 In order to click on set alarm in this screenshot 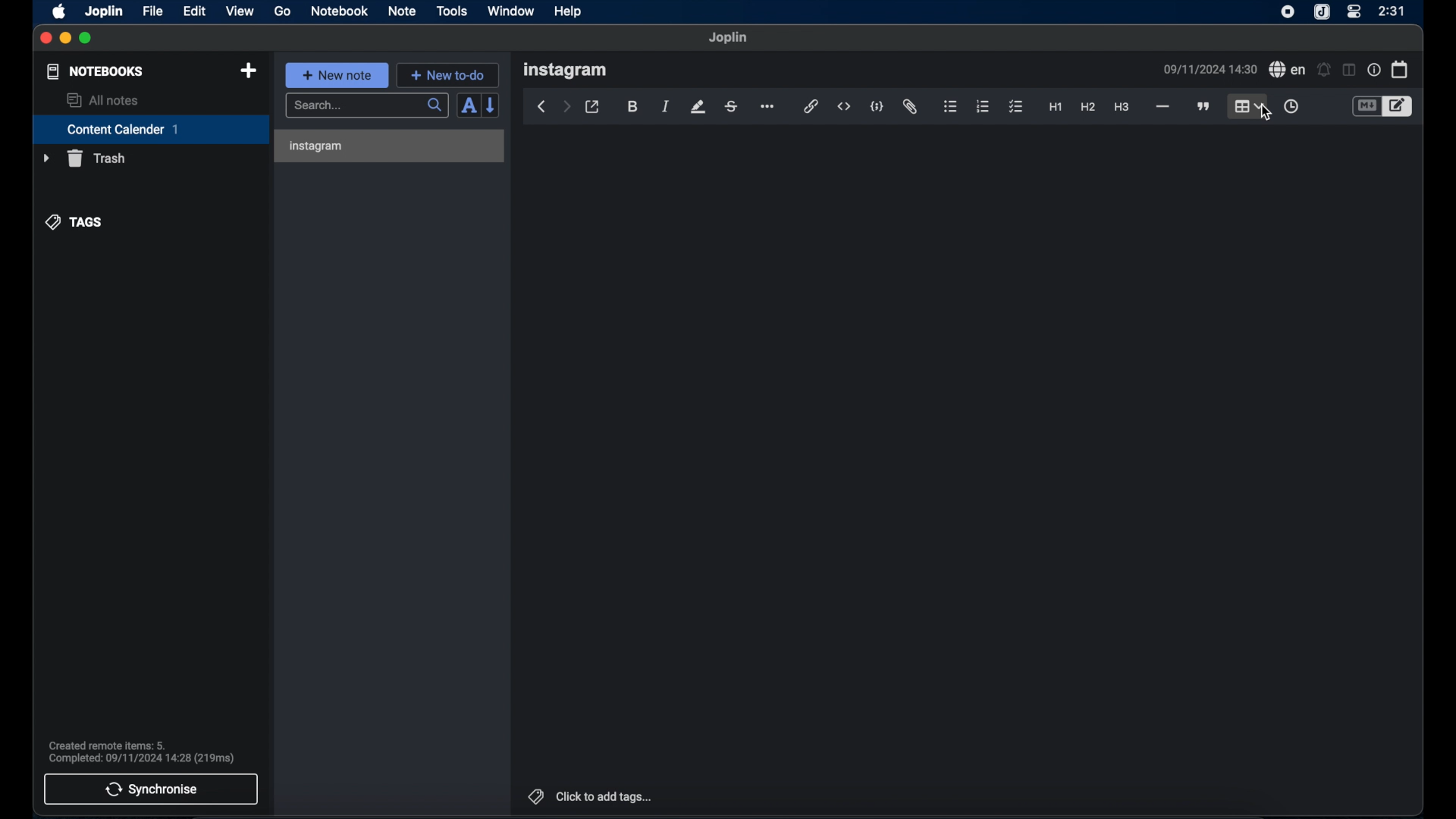, I will do `click(1324, 69)`.